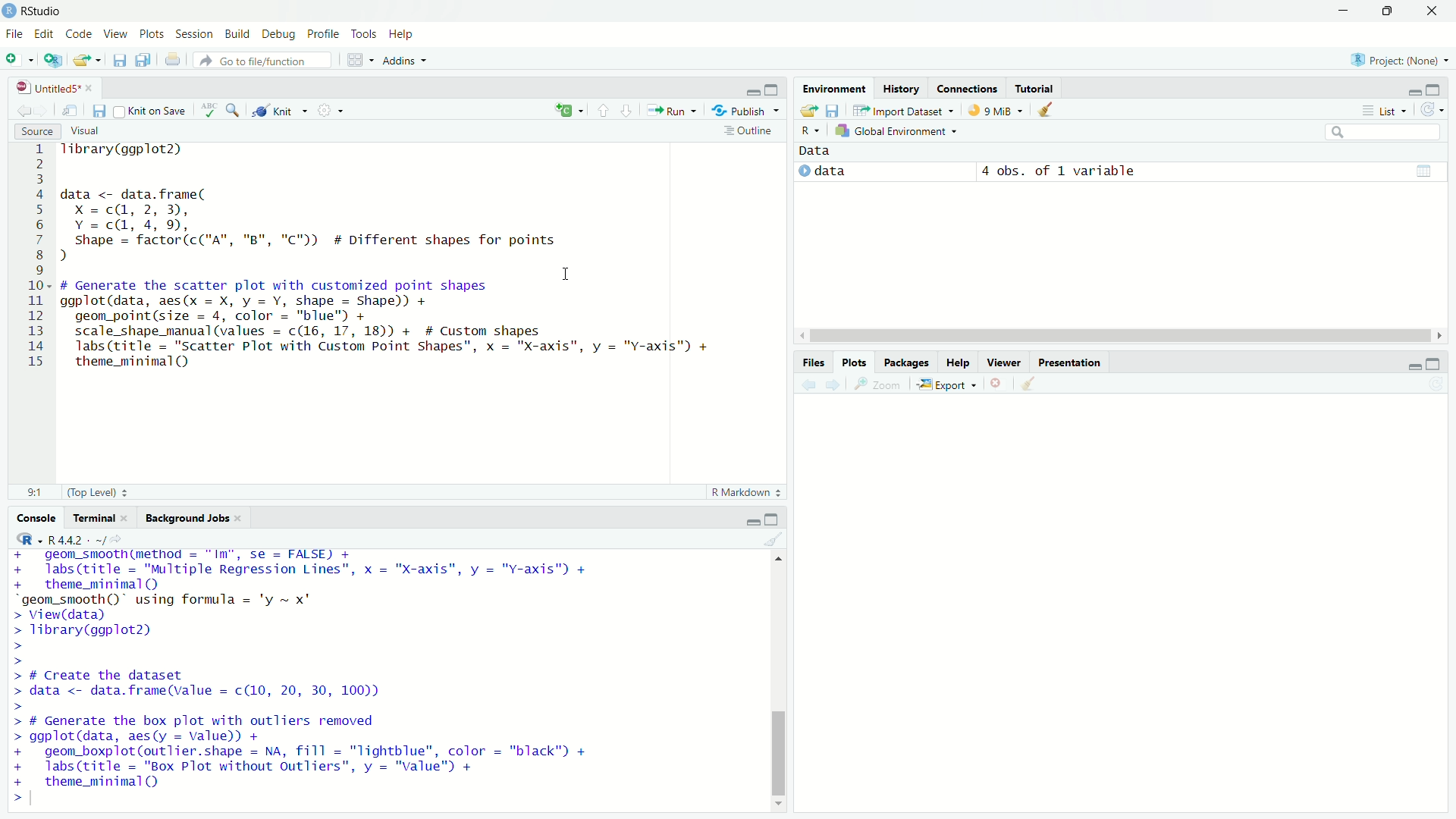  Describe the element at coordinates (811, 132) in the screenshot. I see `R` at that location.